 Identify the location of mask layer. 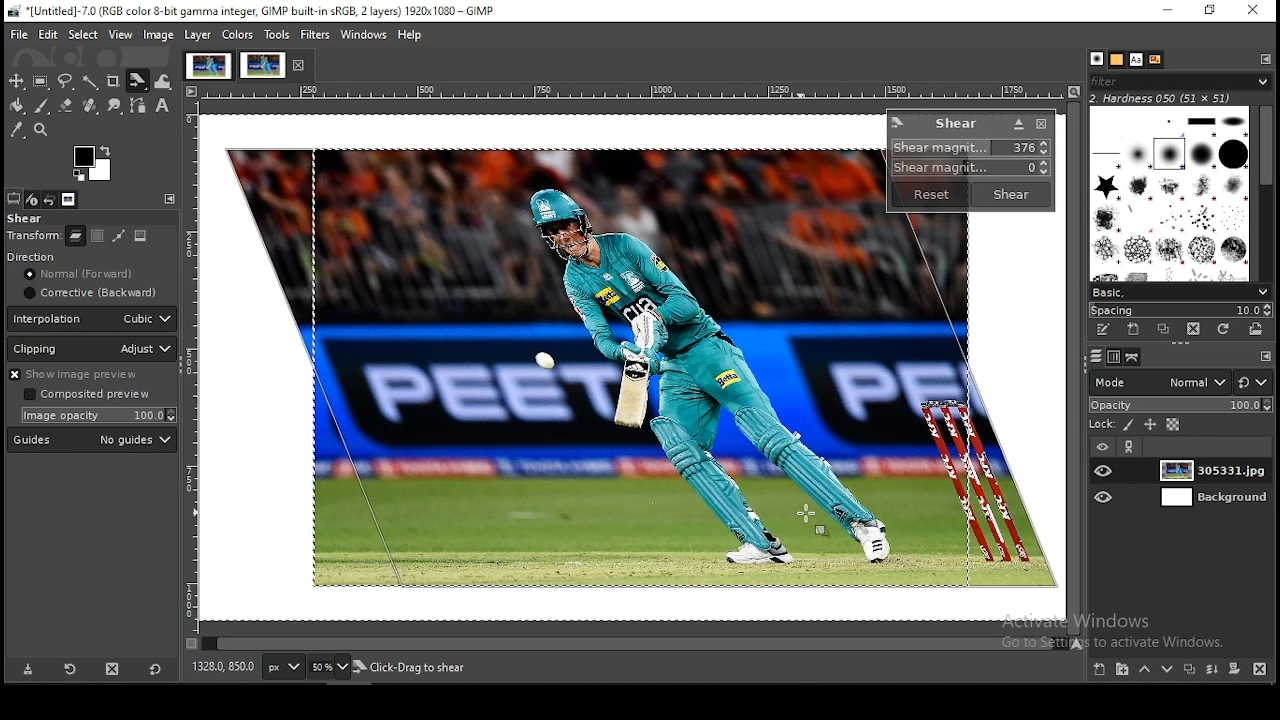
(1234, 669).